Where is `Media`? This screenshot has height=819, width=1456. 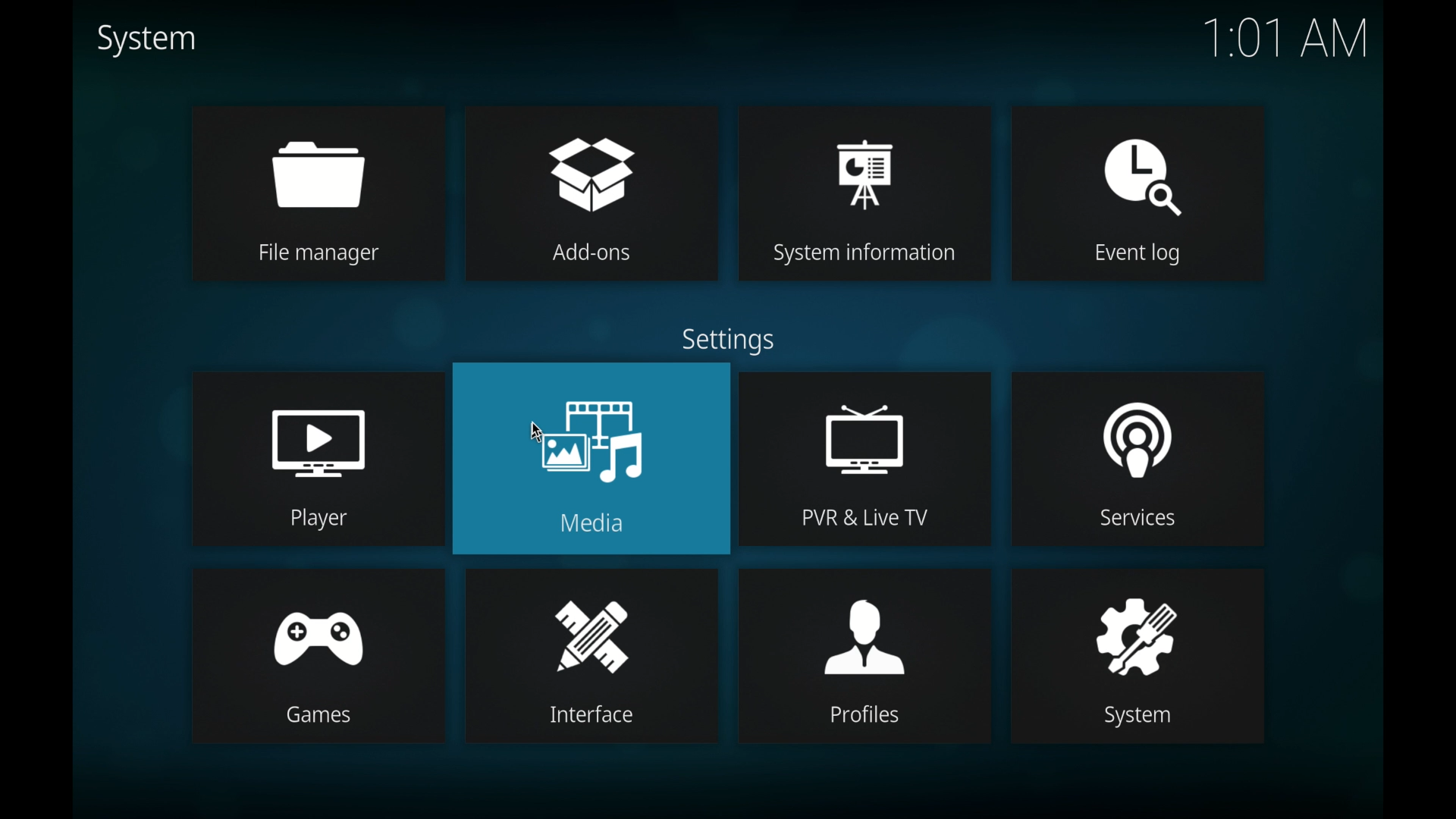 Media is located at coordinates (599, 523).